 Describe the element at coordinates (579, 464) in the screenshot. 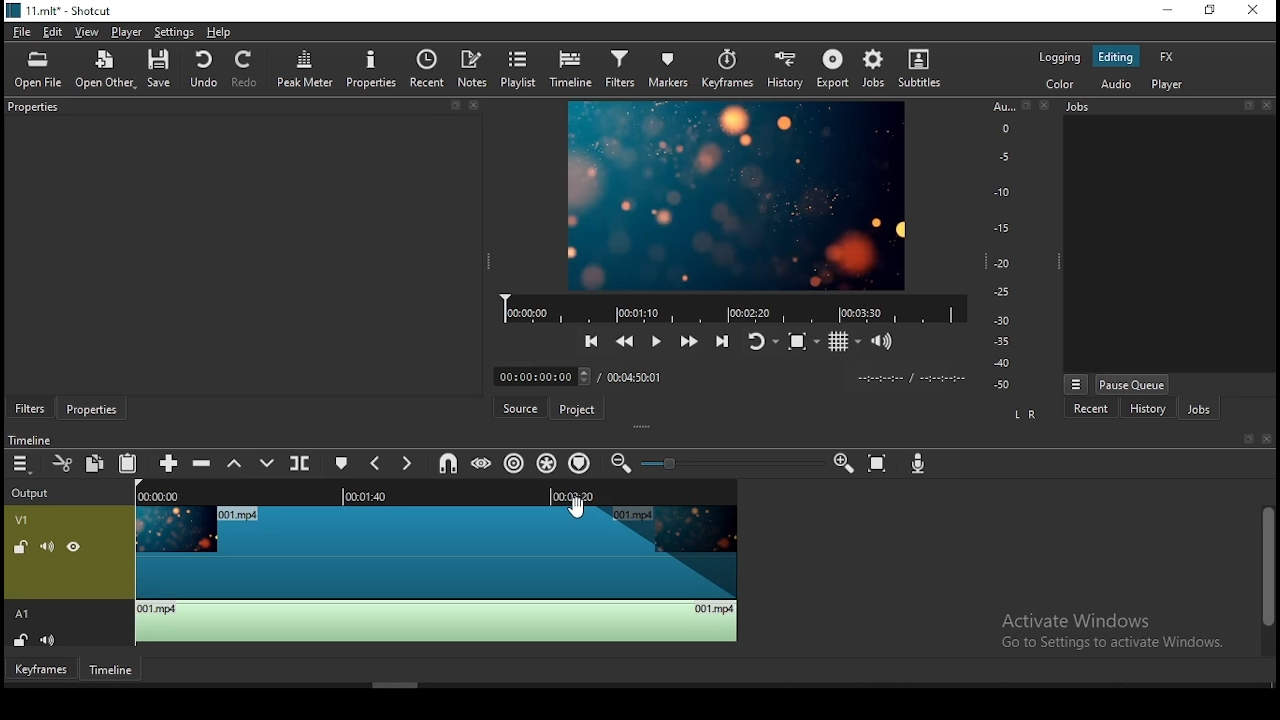

I see `ripple markers` at that location.